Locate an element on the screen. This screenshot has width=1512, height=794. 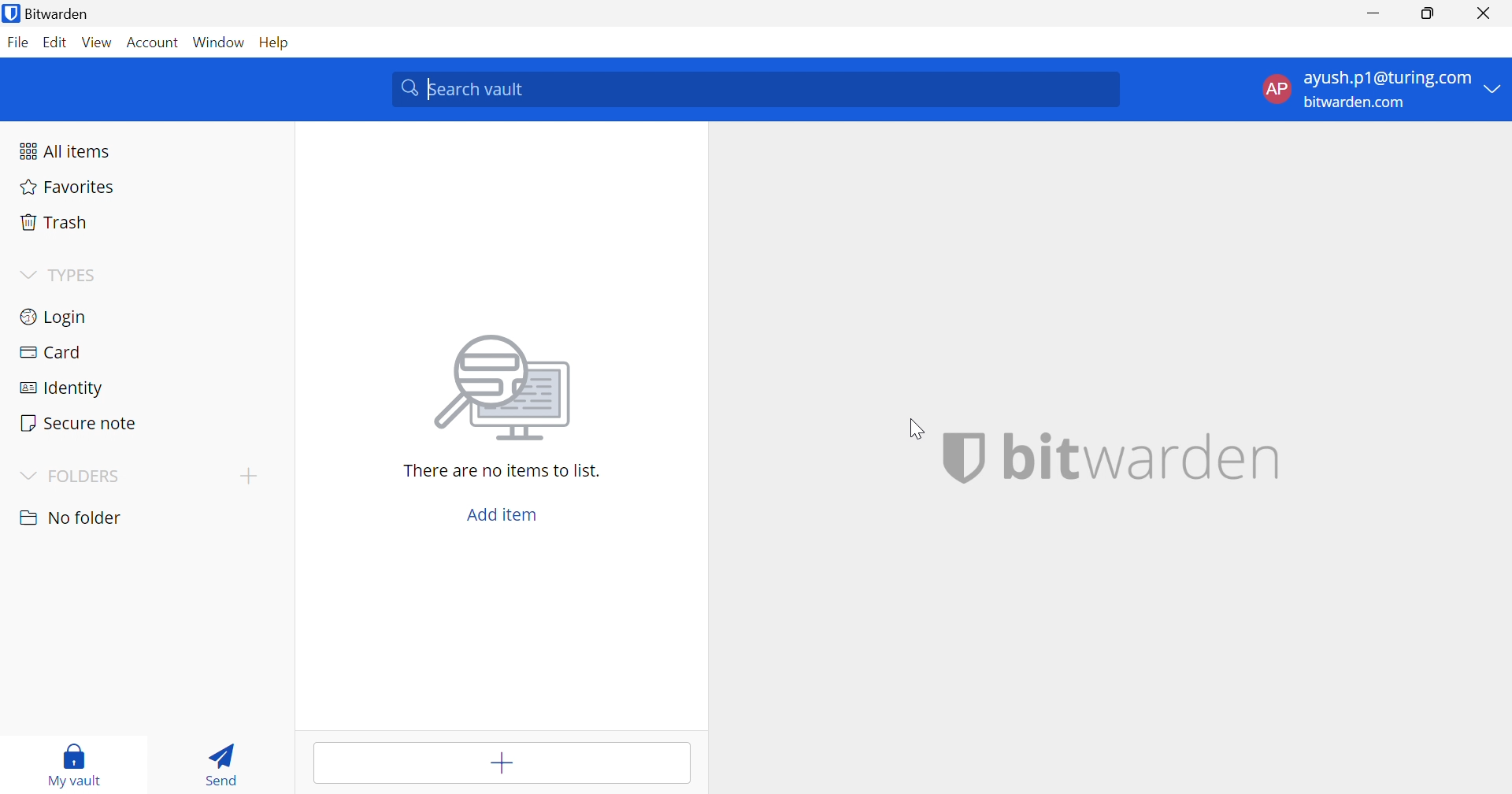
Help is located at coordinates (276, 42).